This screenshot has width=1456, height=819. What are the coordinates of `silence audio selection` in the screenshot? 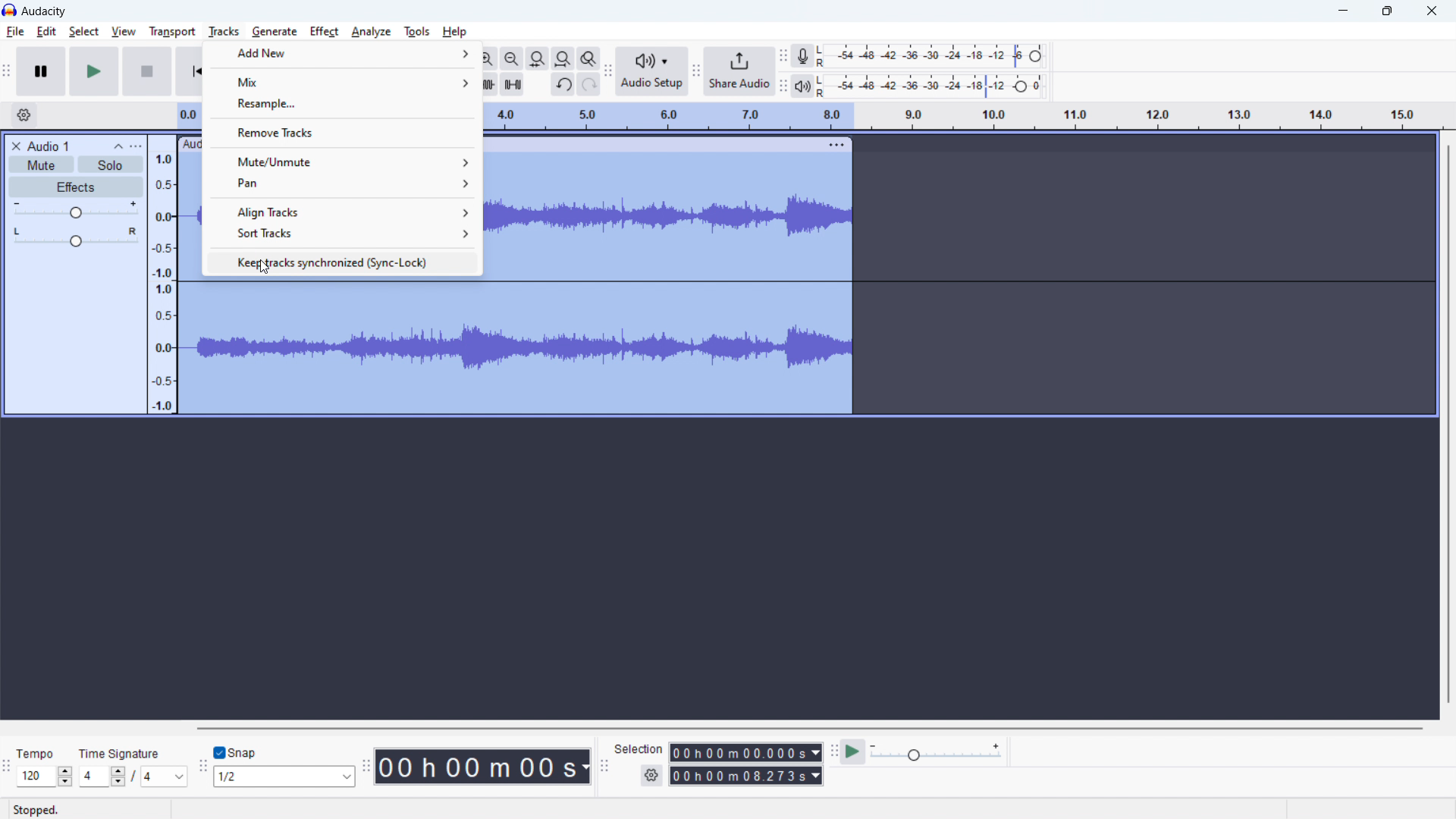 It's located at (512, 83).